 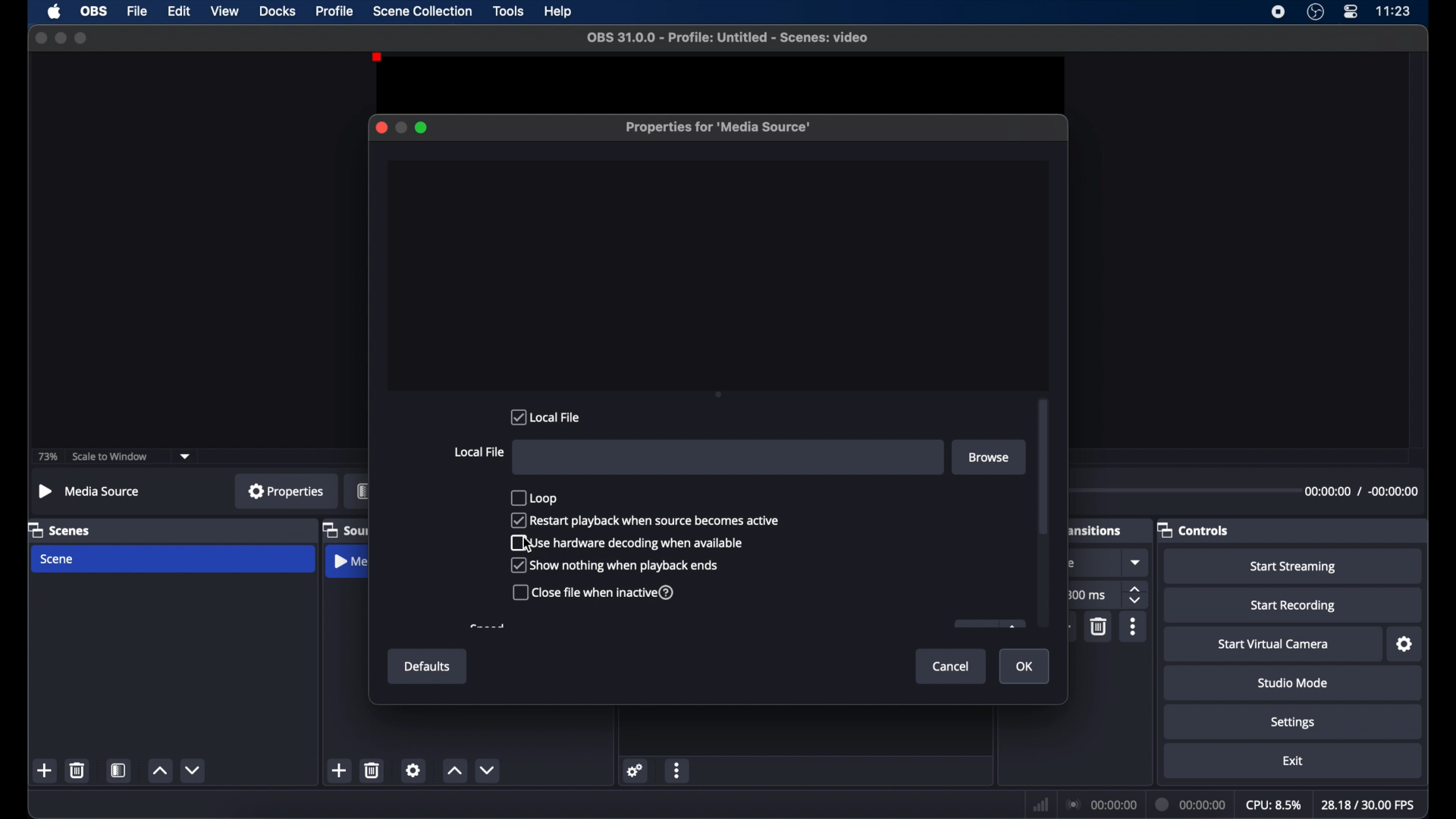 I want to click on restart playback when source becomes active, so click(x=646, y=521).